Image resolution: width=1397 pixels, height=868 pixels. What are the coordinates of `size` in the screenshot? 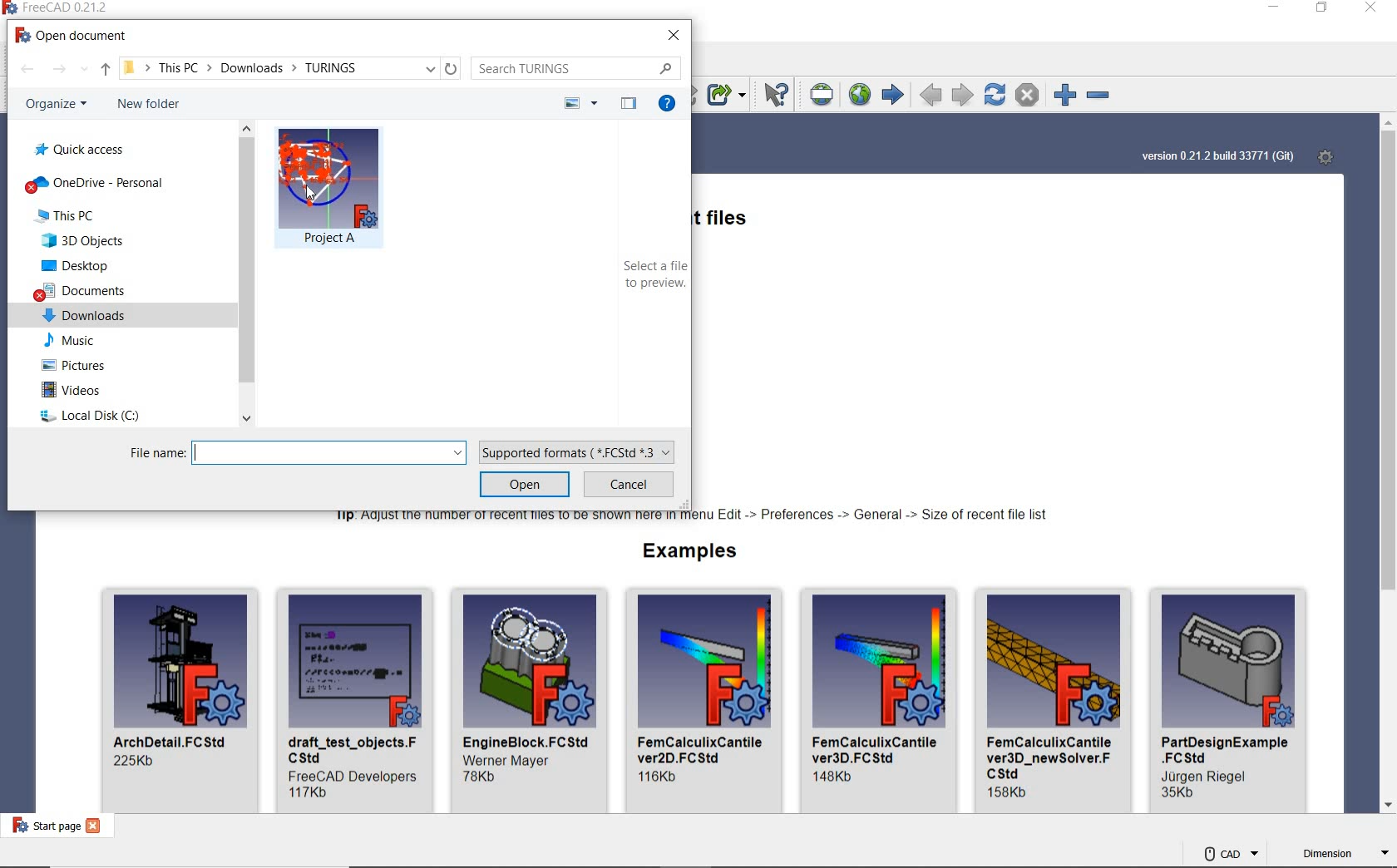 It's located at (837, 777).